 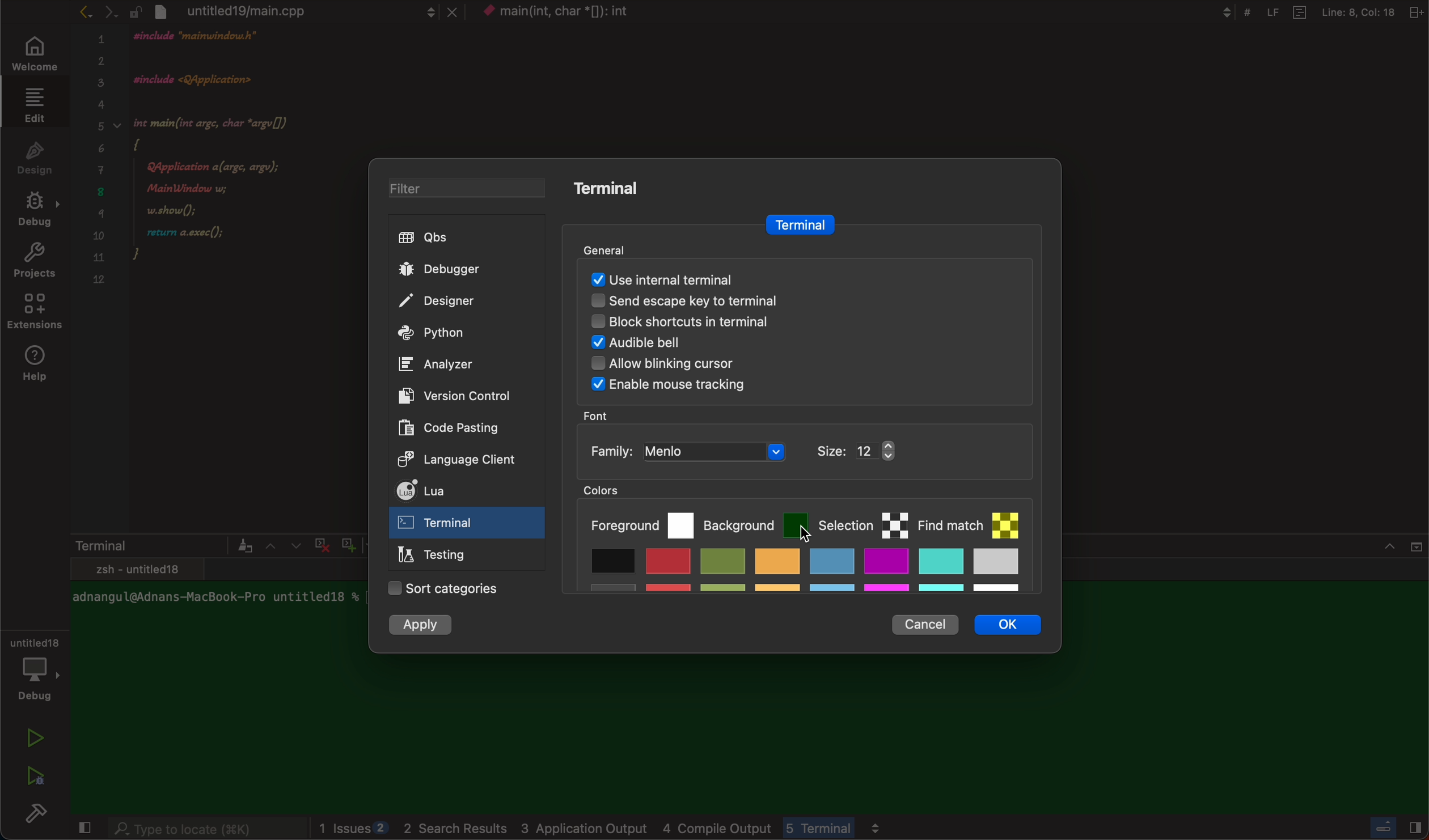 I want to click on close, so click(x=82, y=829).